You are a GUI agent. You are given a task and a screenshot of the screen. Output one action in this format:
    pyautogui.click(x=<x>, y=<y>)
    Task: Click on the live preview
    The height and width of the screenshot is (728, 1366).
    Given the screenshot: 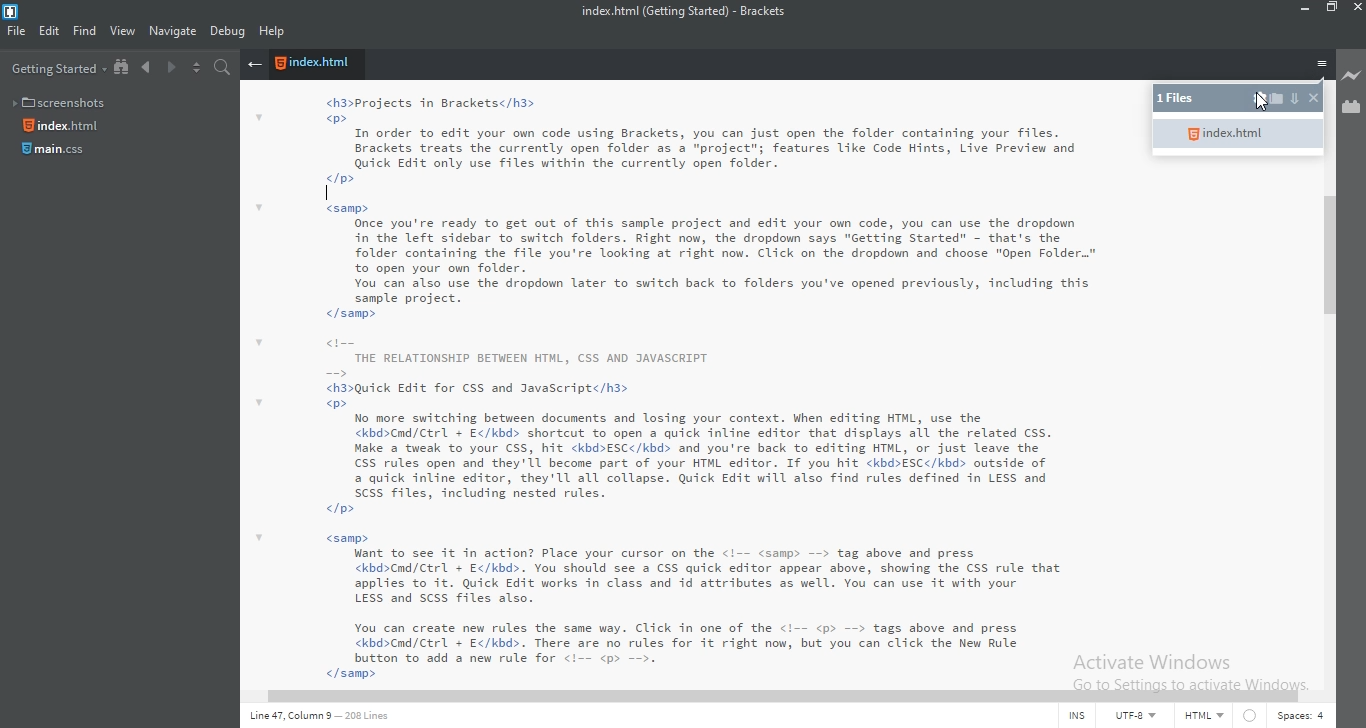 What is the action you would take?
    pyautogui.click(x=1352, y=75)
    